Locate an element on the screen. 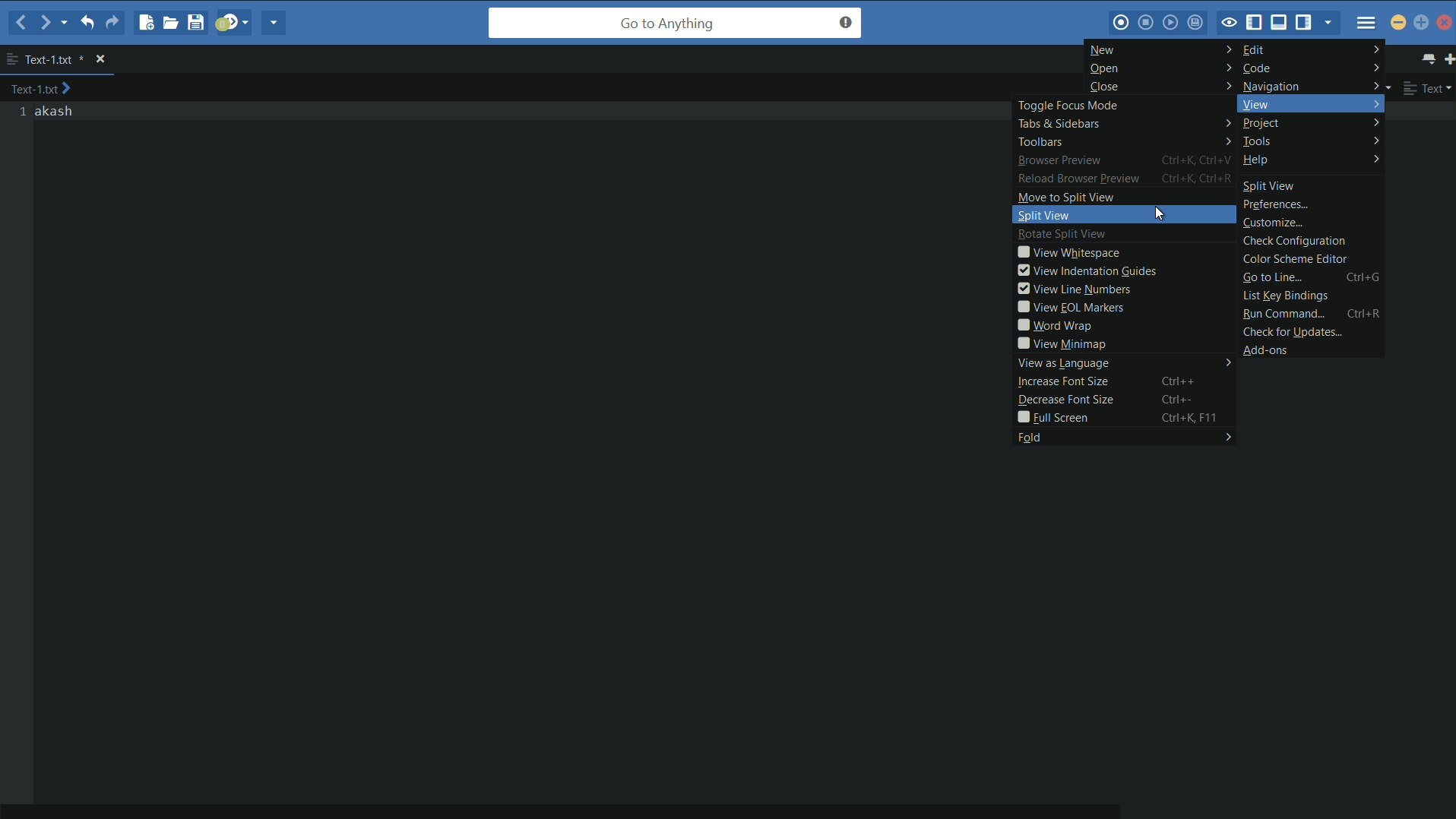 This screenshot has width=1456, height=819. more options is located at coordinates (11, 59).